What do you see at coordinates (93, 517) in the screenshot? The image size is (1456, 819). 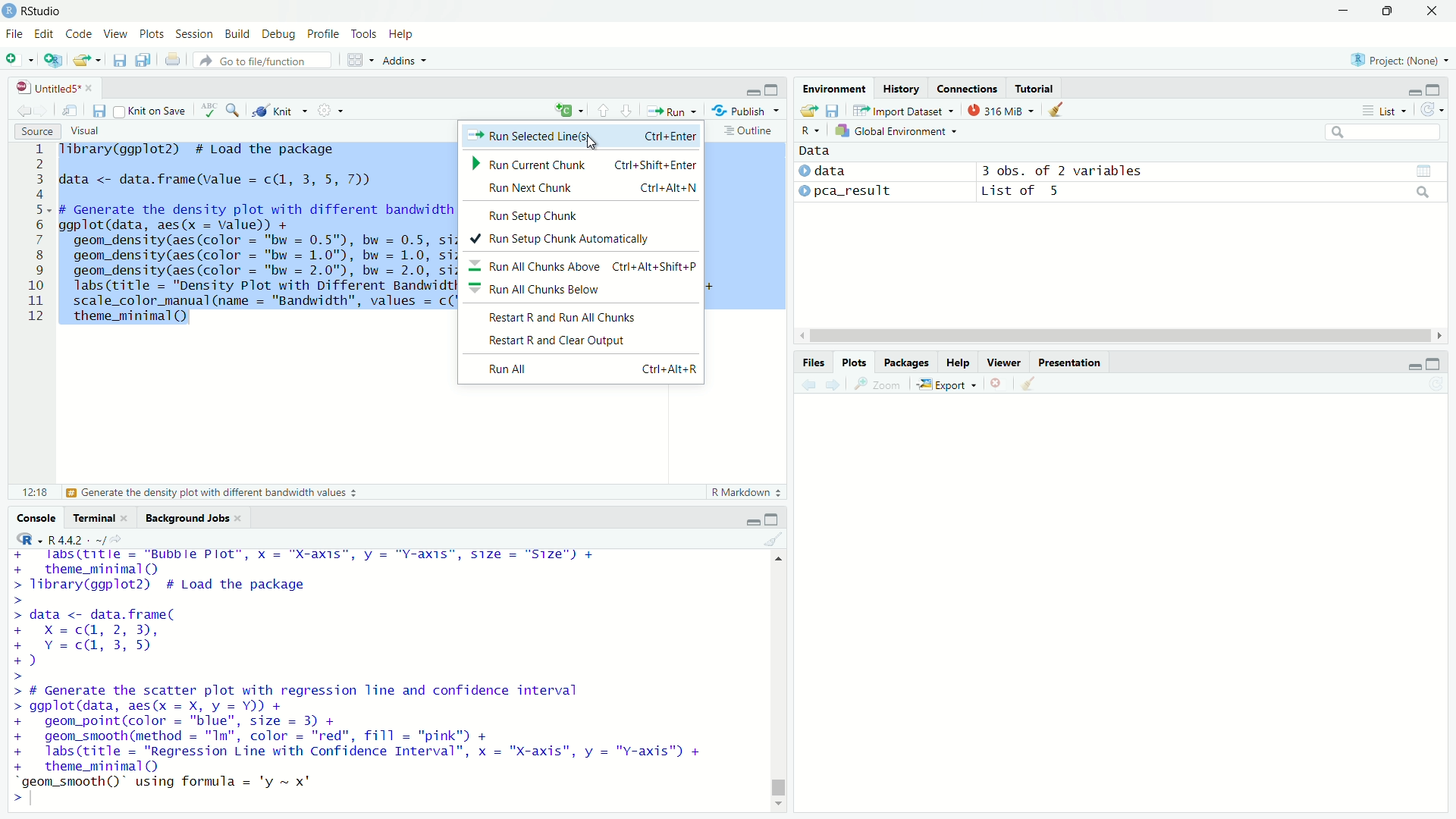 I see `Terminal` at bounding box center [93, 517].